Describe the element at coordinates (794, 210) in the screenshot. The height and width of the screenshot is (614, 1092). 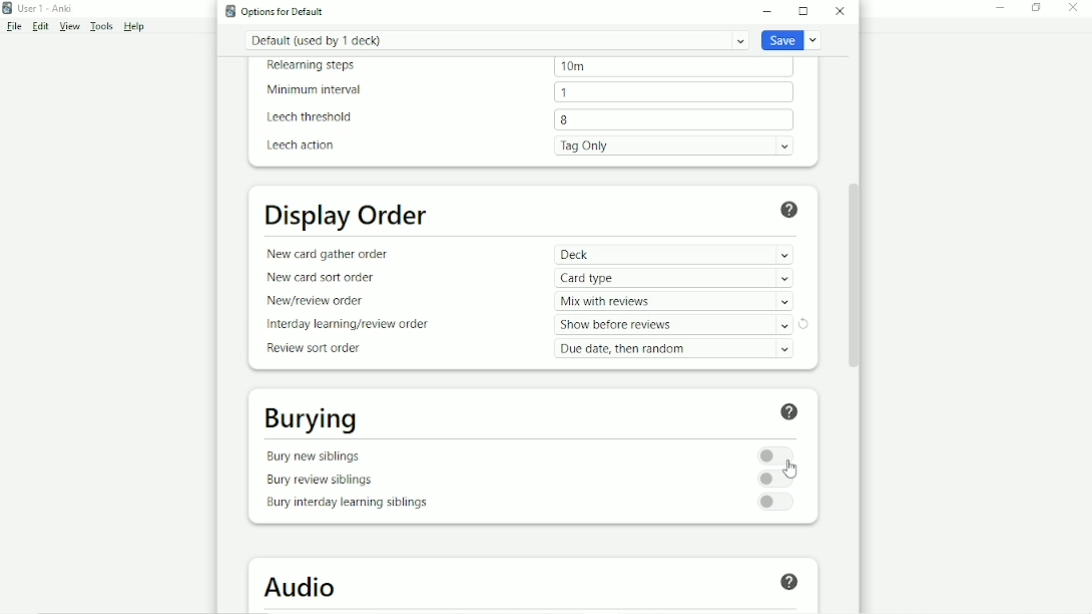
I see `Help` at that location.